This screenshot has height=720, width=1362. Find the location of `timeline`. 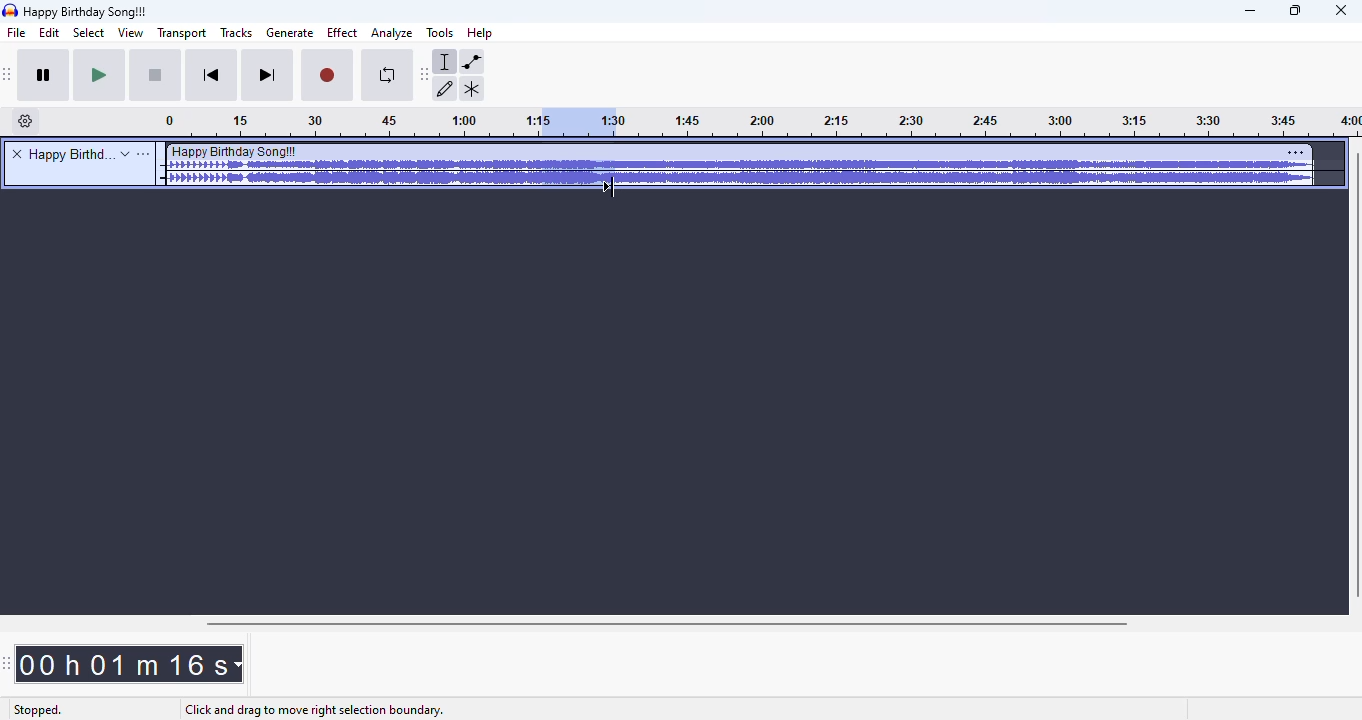

timeline is located at coordinates (989, 124).